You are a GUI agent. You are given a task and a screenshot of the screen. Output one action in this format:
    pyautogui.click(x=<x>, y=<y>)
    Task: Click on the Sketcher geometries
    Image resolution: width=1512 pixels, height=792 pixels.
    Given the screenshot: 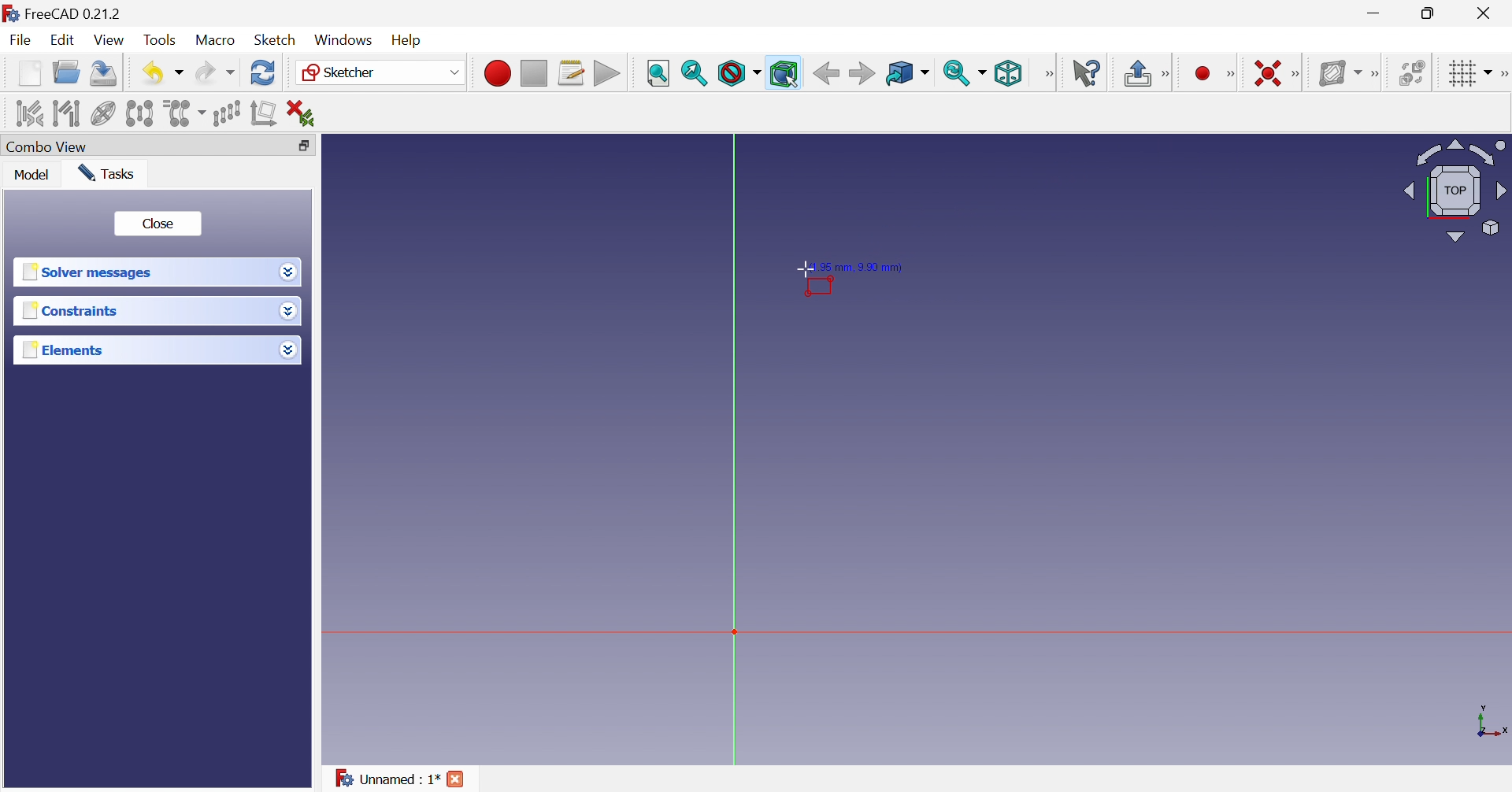 What is the action you would take?
    pyautogui.click(x=1233, y=75)
    